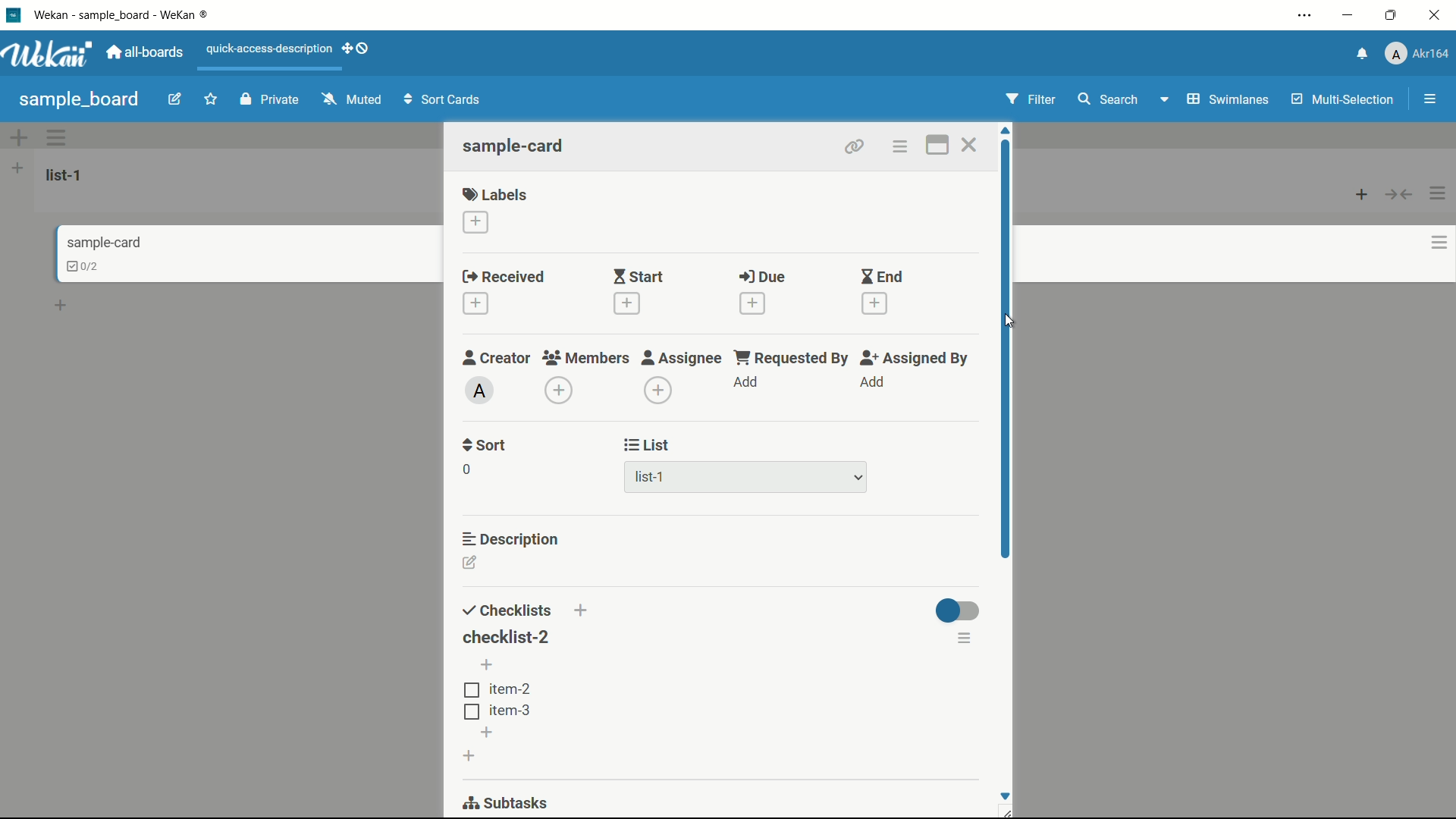 The image size is (1456, 819). I want to click on quick-access-description, so click(269, 49).